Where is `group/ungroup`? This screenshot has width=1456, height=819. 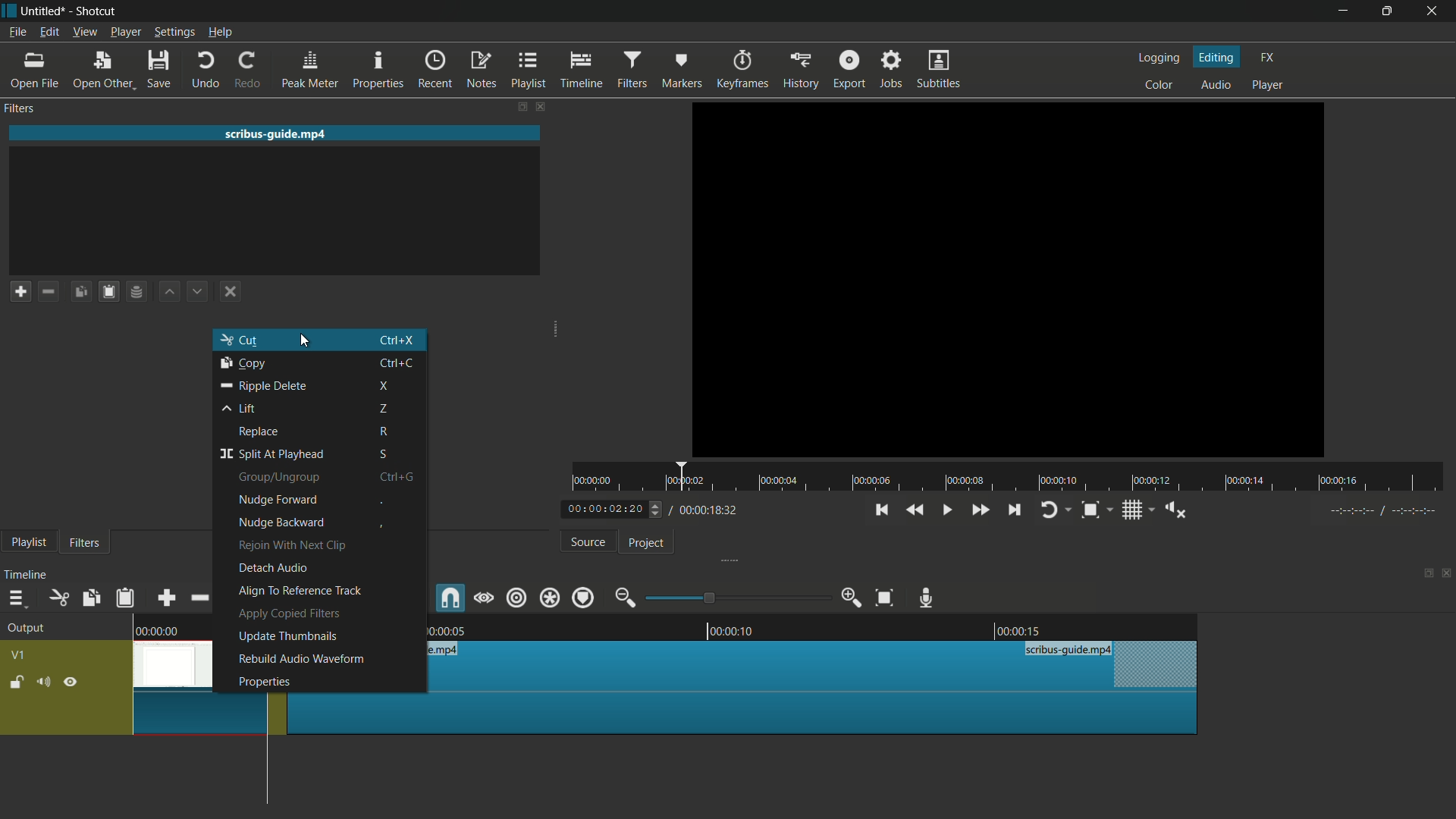
group/ungroup is located at coordinates (278, 478).